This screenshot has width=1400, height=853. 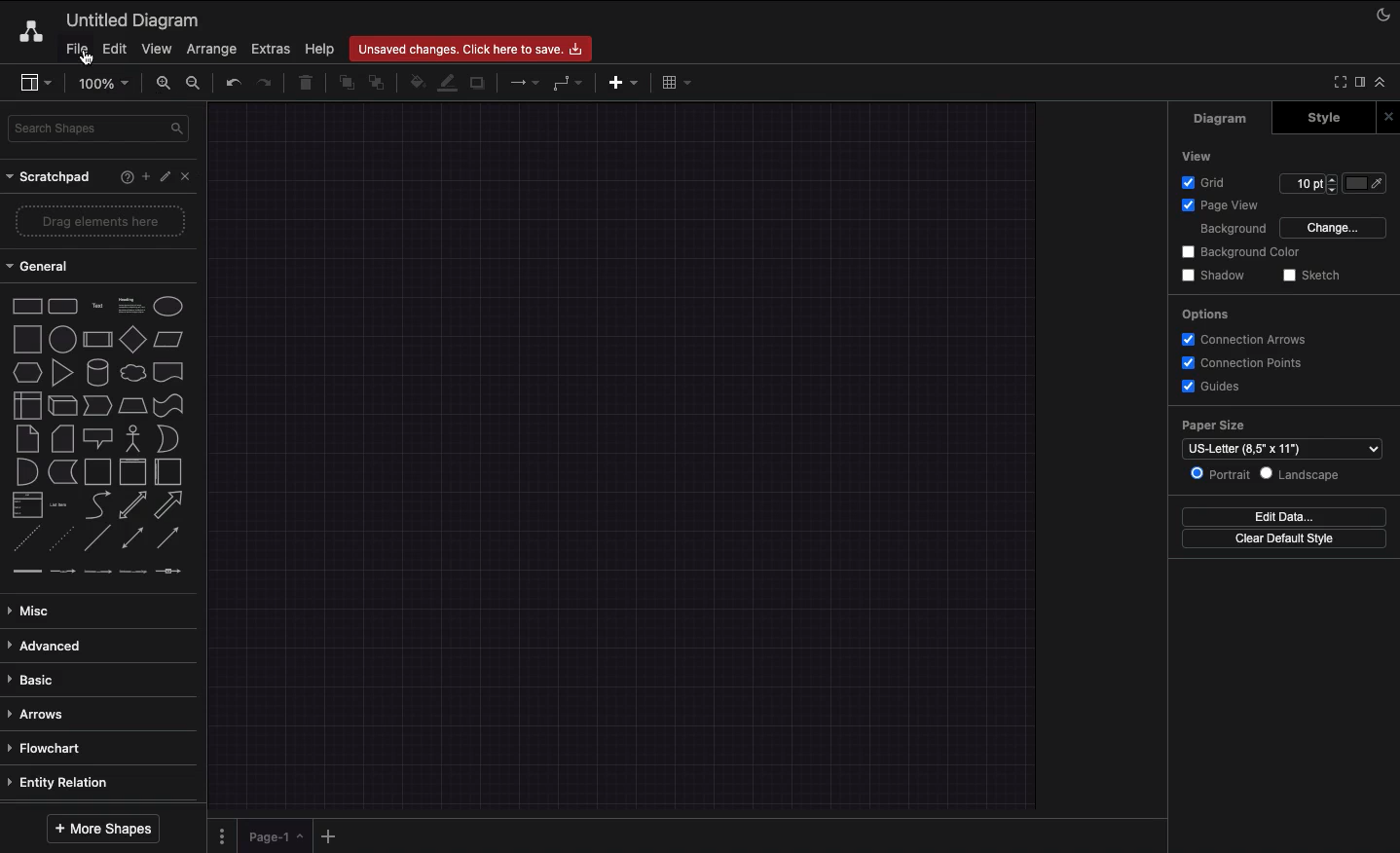 What do you see at coordinates (61, 540) in the screenshot?
I see `Dotted line` at bounding box center [61, 540].